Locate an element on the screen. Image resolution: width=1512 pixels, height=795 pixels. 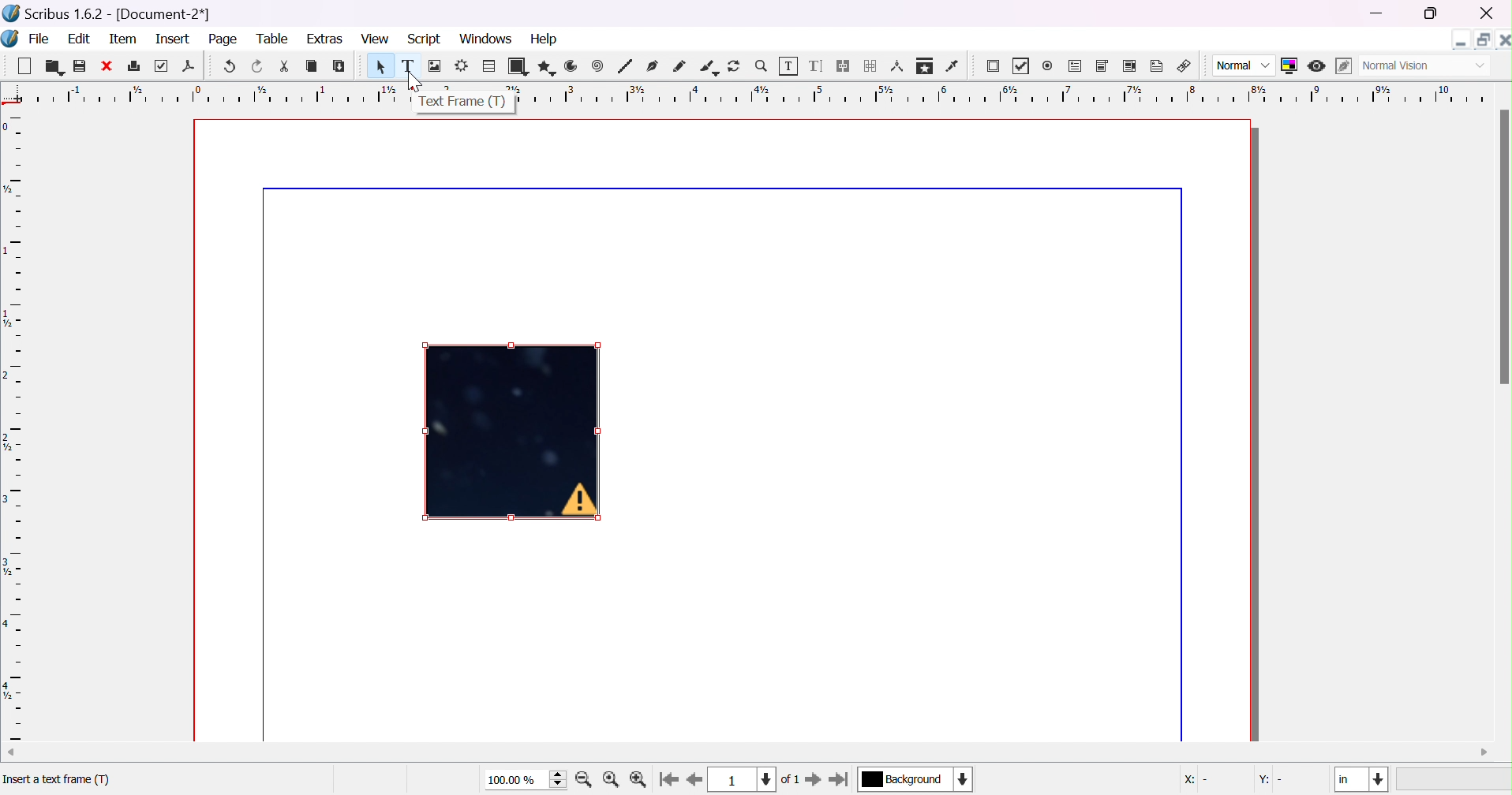
close is located at coordinates (1488, 13).